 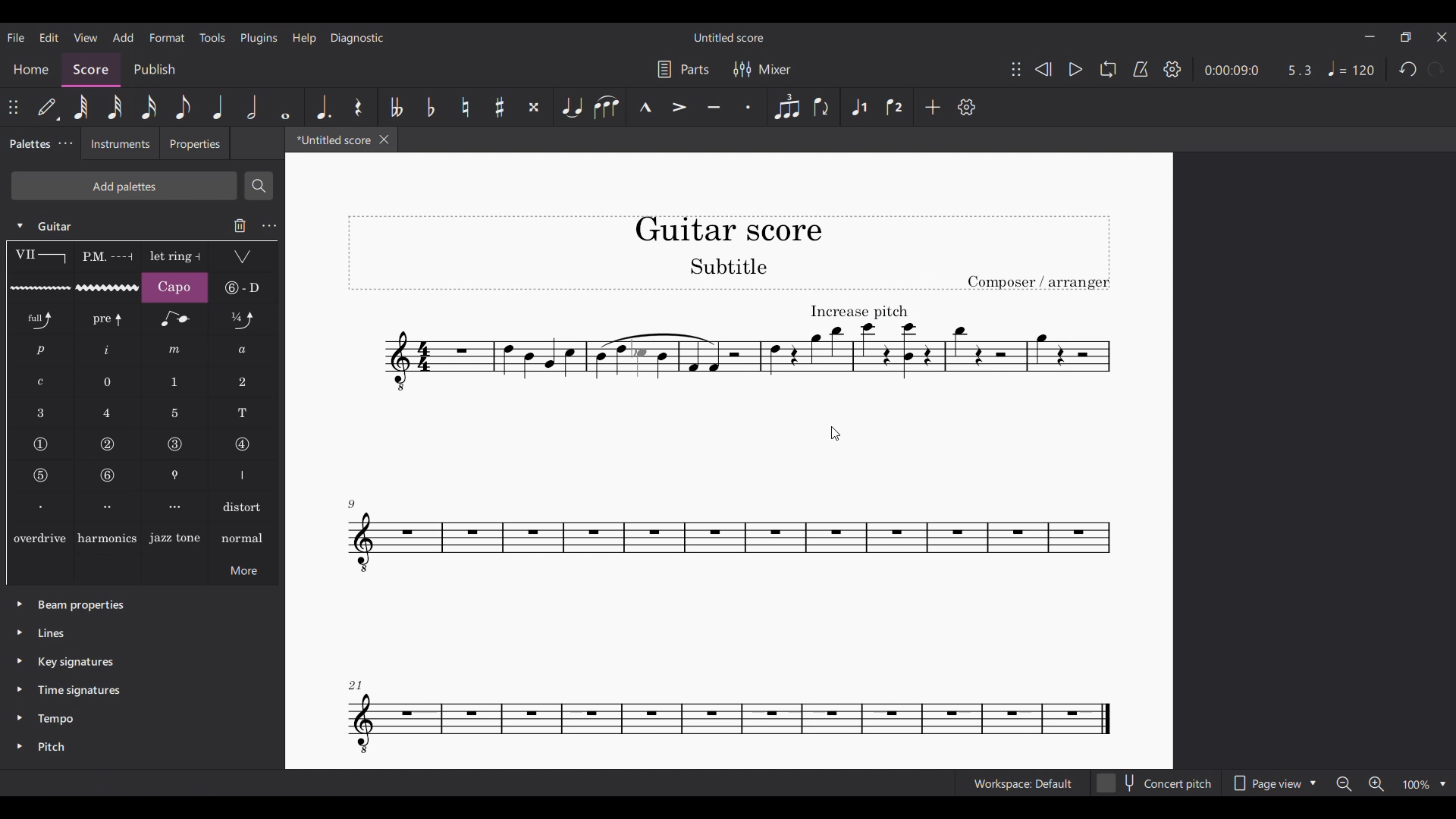 I want to click on Quarter note highlighted after current selection, so click(x=216, y=106).